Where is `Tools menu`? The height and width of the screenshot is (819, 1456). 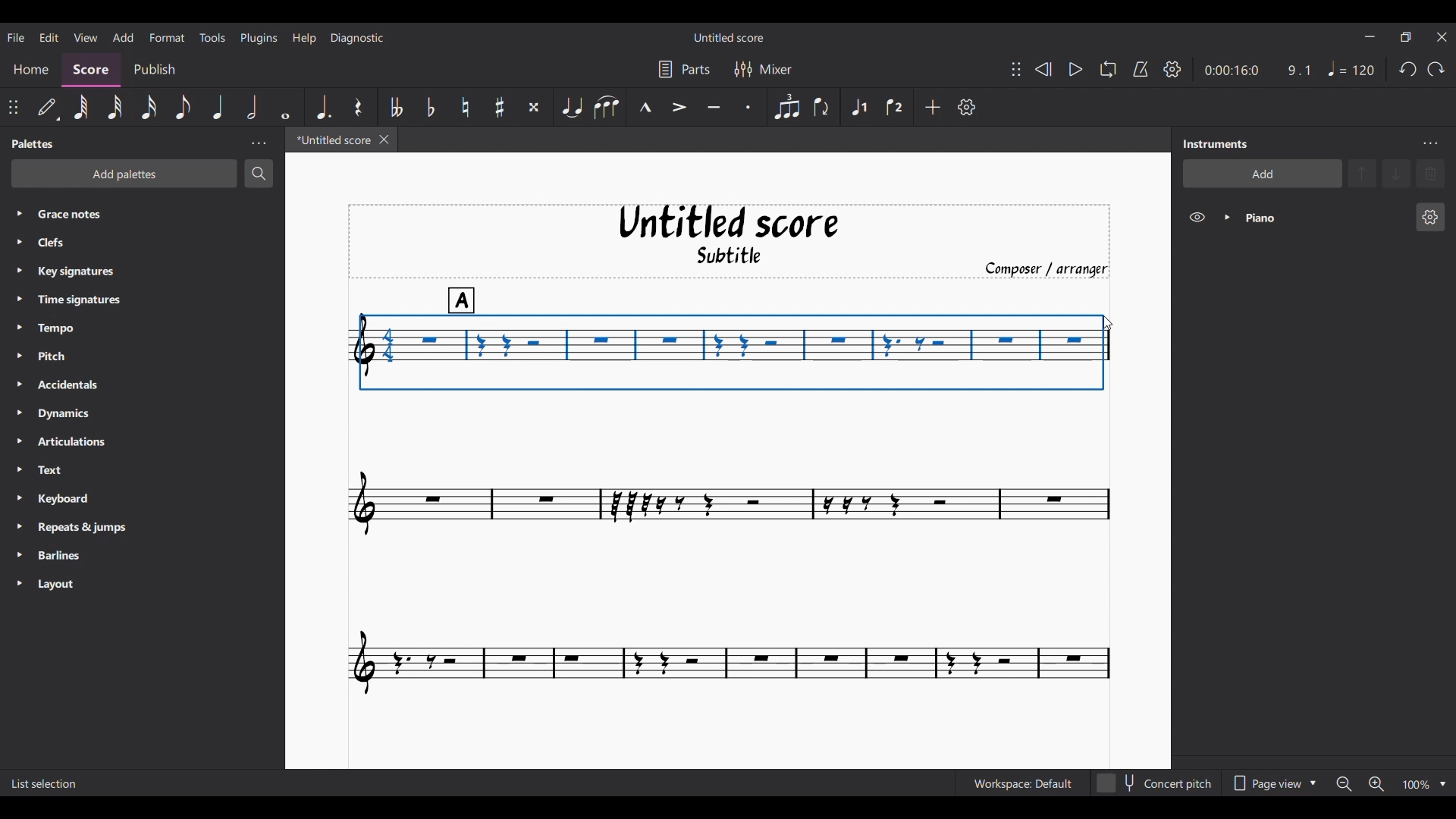
Tools menu is located at coordinates (212, 38).